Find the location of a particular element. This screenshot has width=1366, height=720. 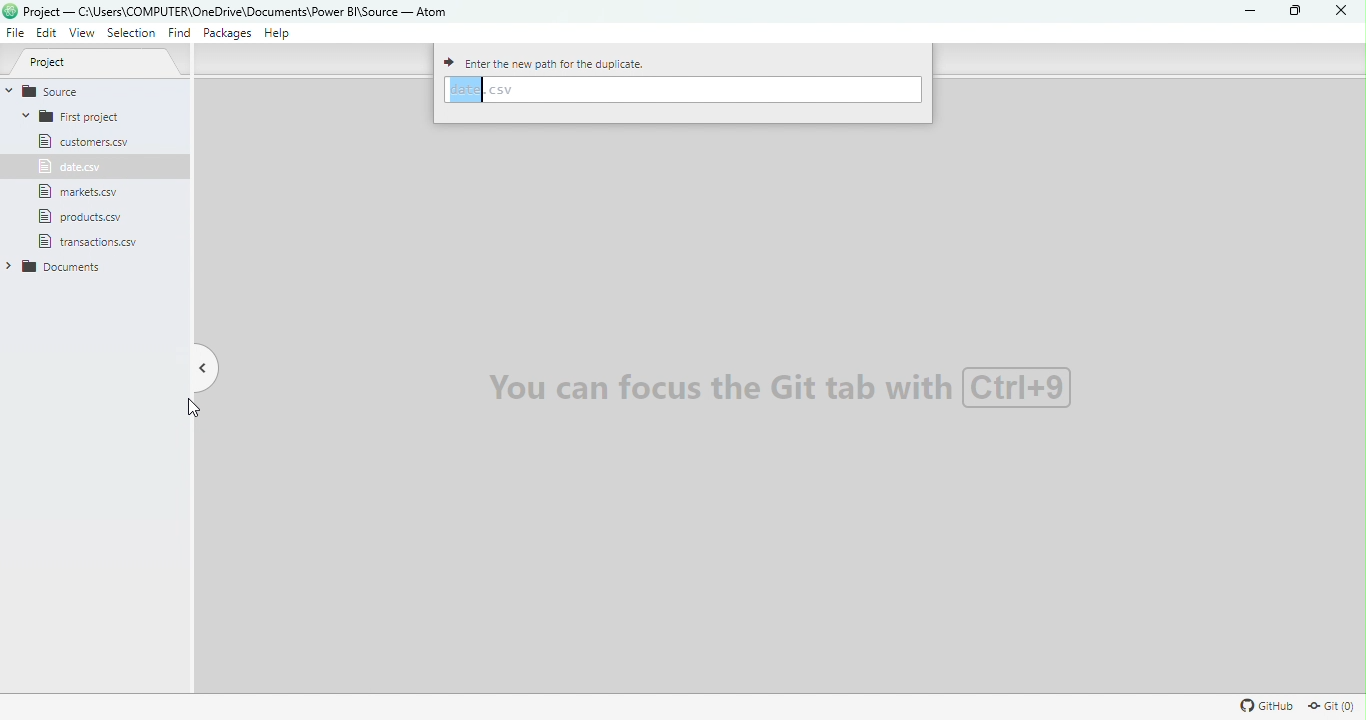

Git repository is located at coordinates (1333, 705).